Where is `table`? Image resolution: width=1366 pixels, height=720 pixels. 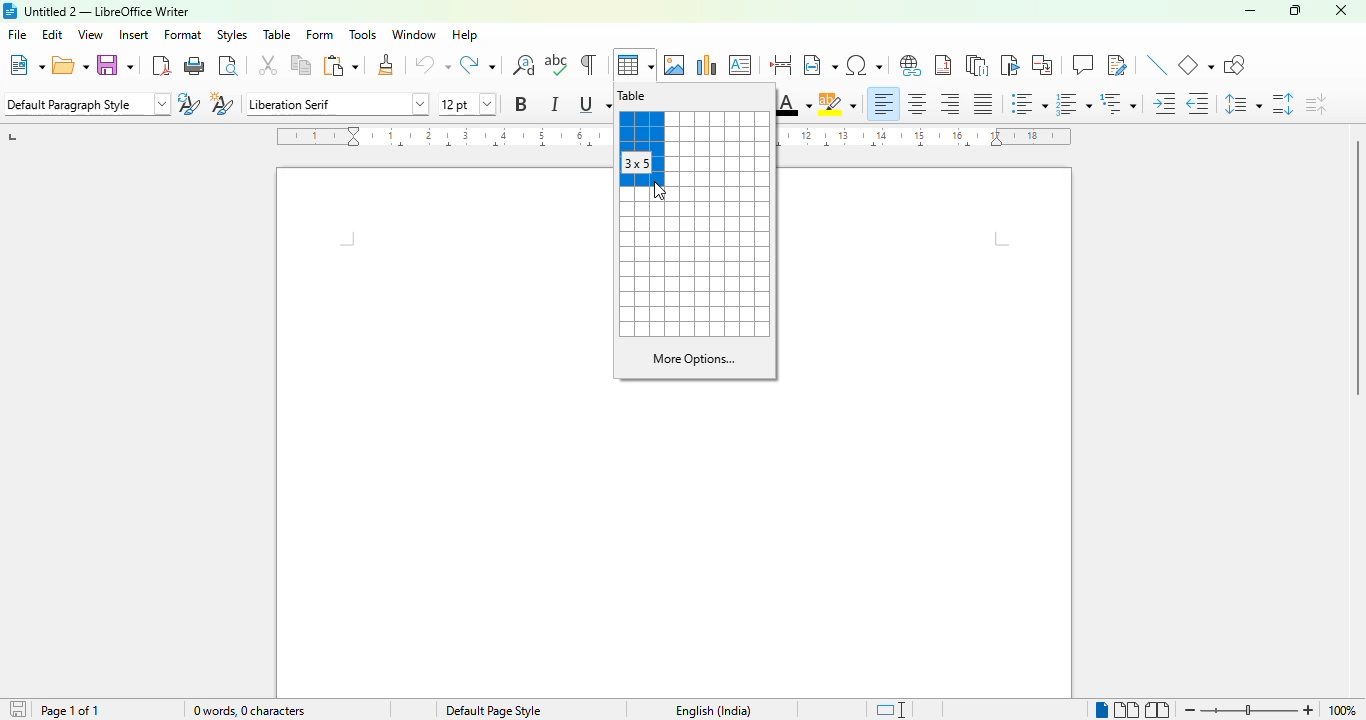 table is located at coordinates (634, 64).